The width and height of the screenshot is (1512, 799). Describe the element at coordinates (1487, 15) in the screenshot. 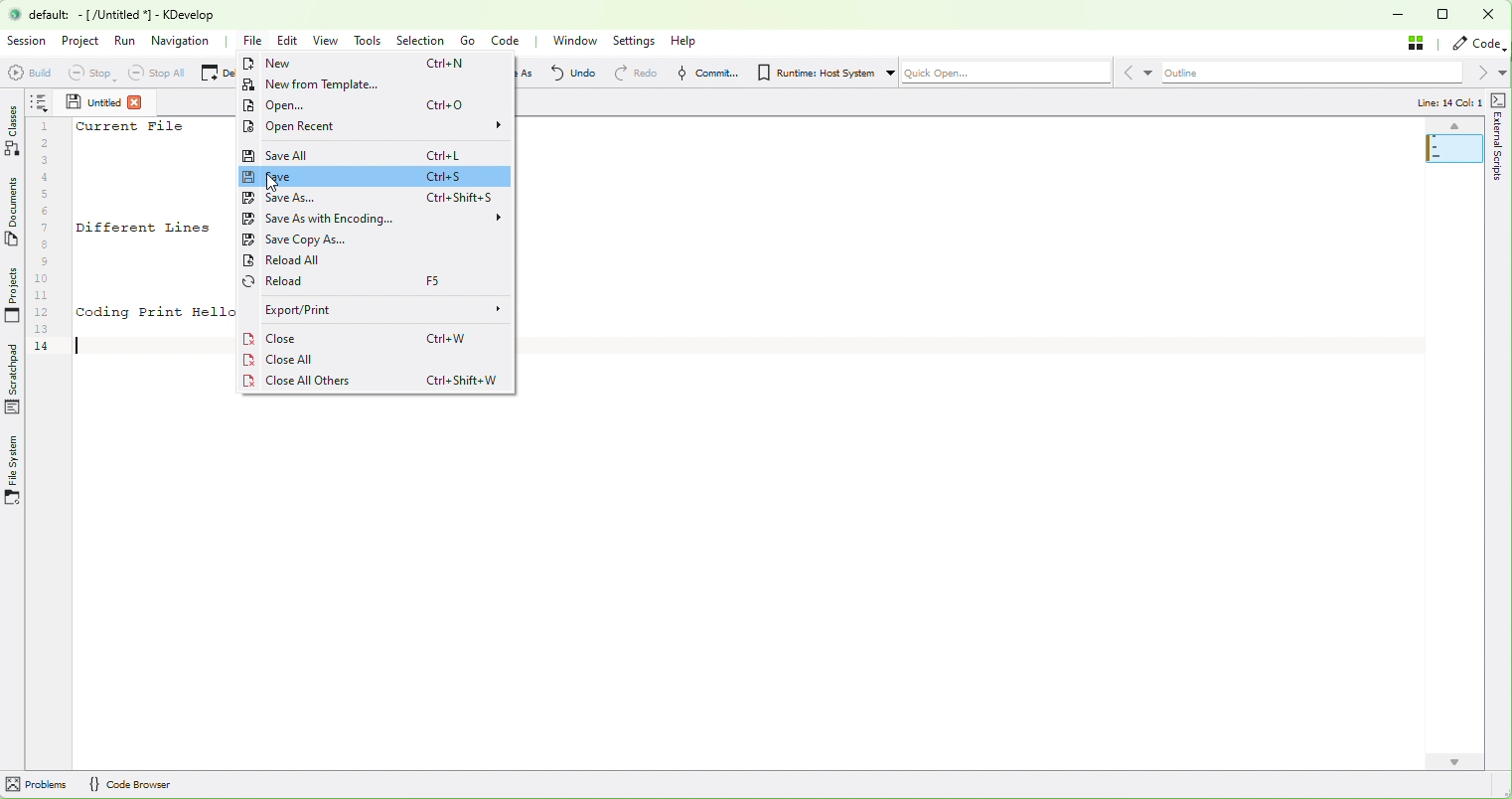

I see `Close` at that location.